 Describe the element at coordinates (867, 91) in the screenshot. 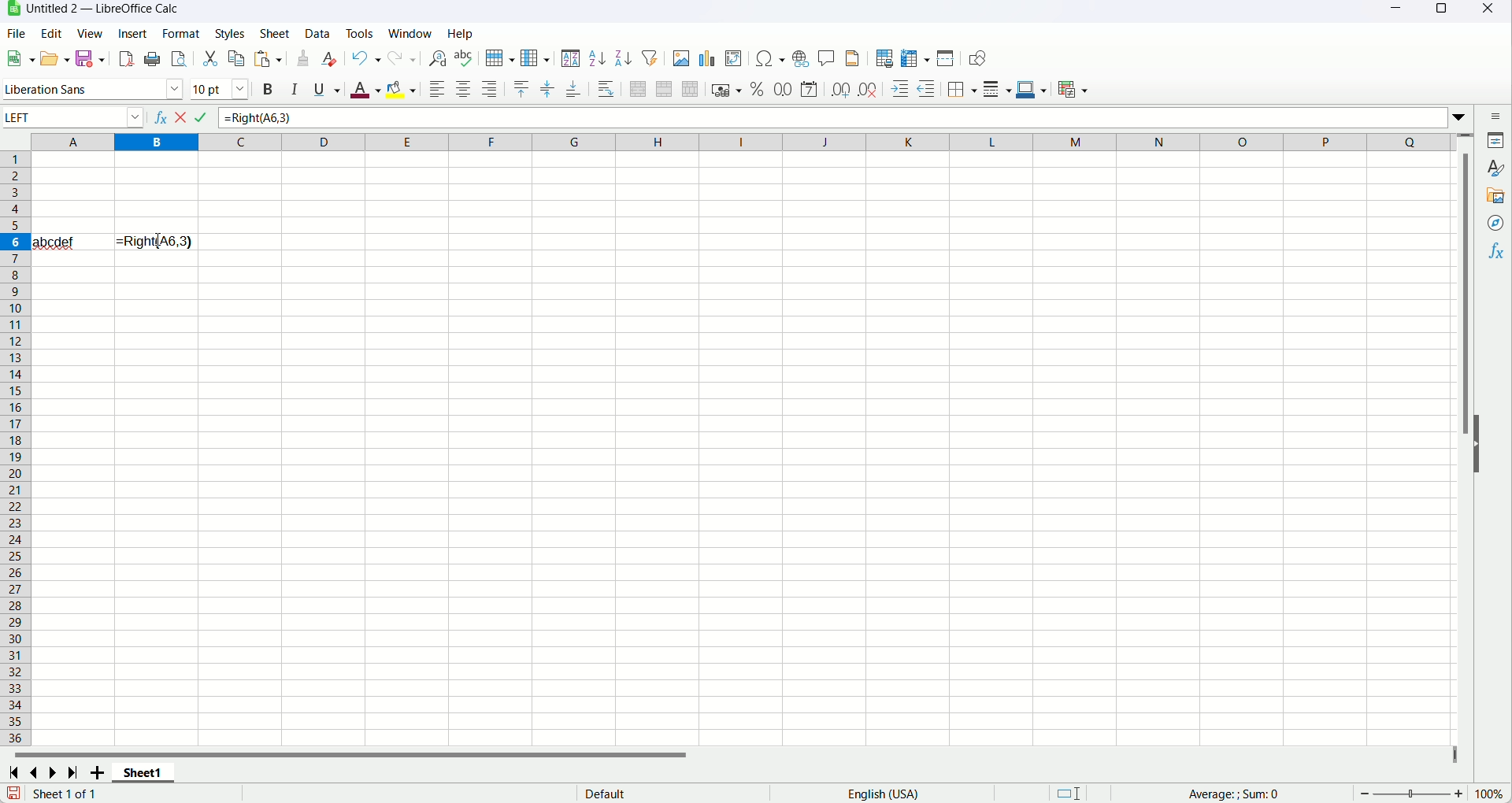

I see `delete decimal place` at that location.